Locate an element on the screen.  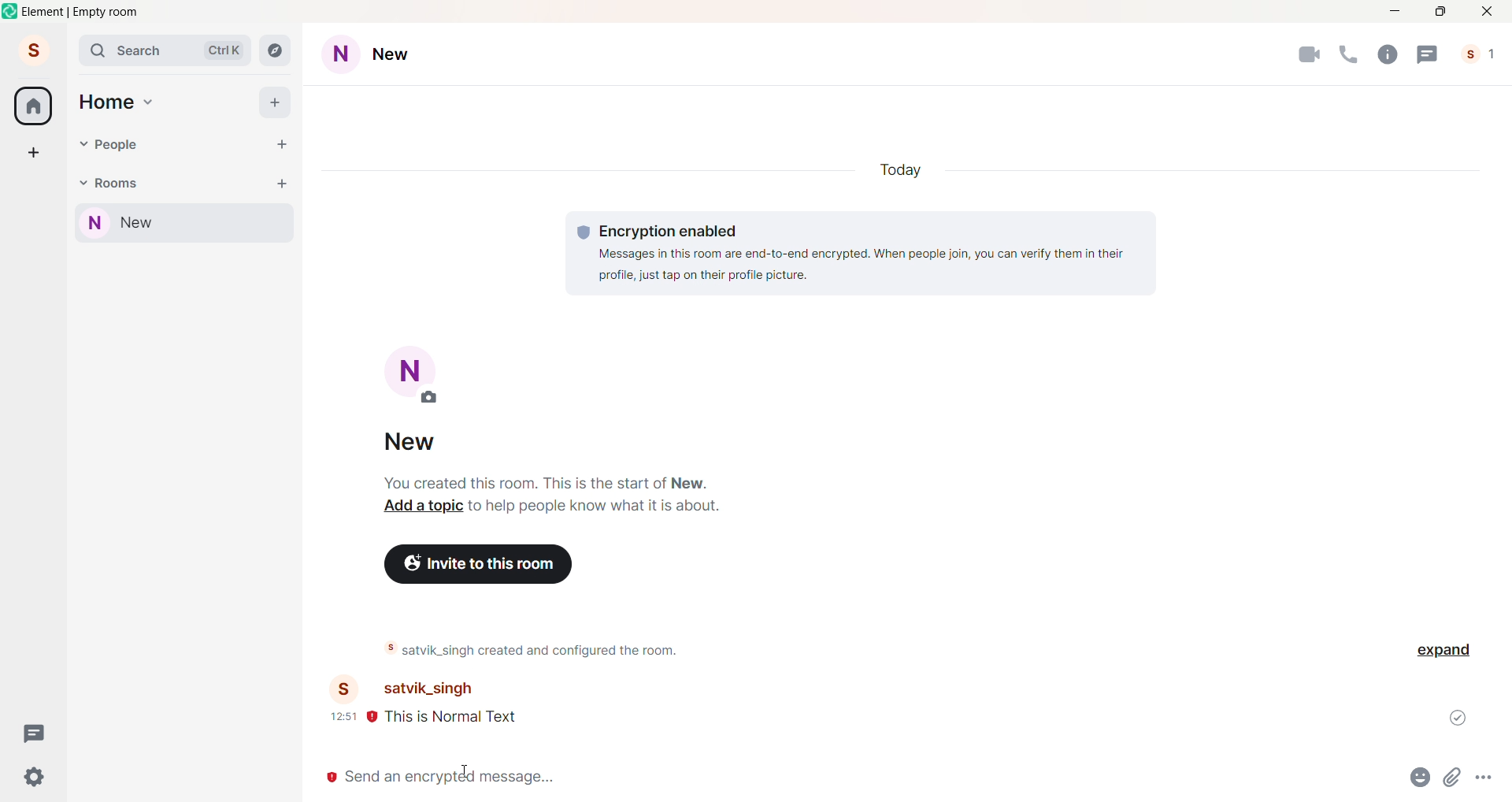
Add Room Picture is located at coordinates (416, 377).